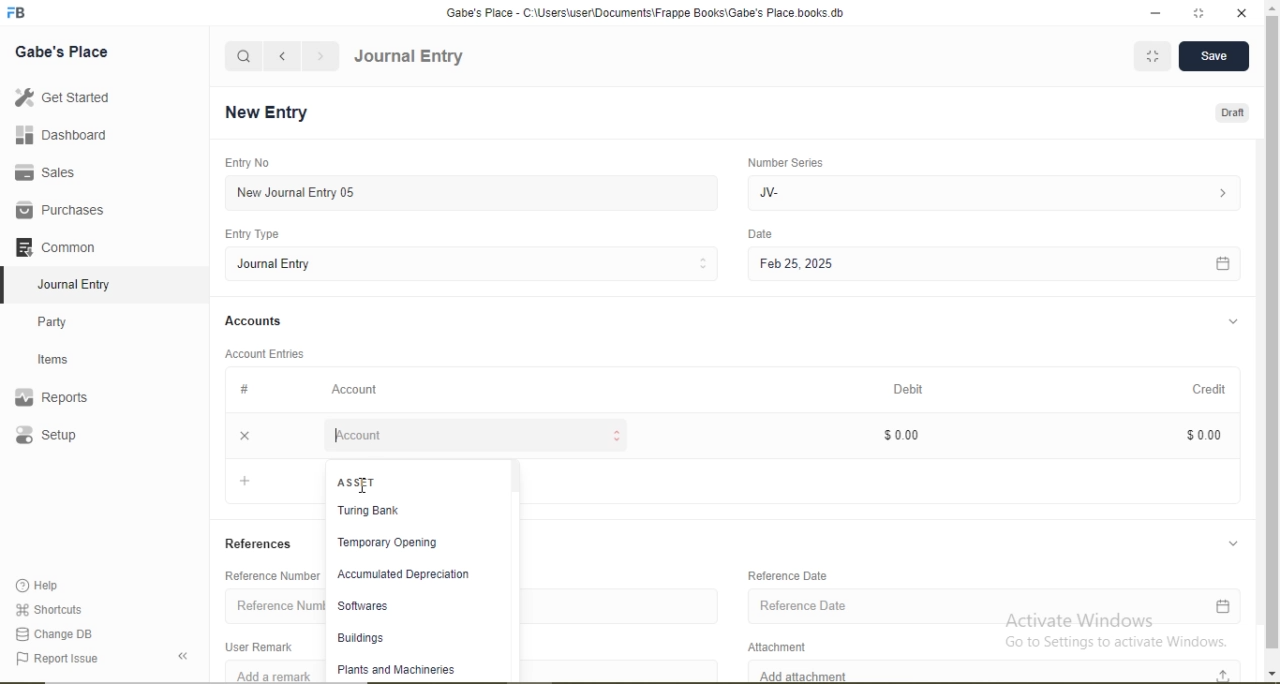 This screenshot has height=684, width=1280. What do you see at coordinates (403, 512) in the screenshot?
I see `Turing Bank` at bounding box center [403, 512].